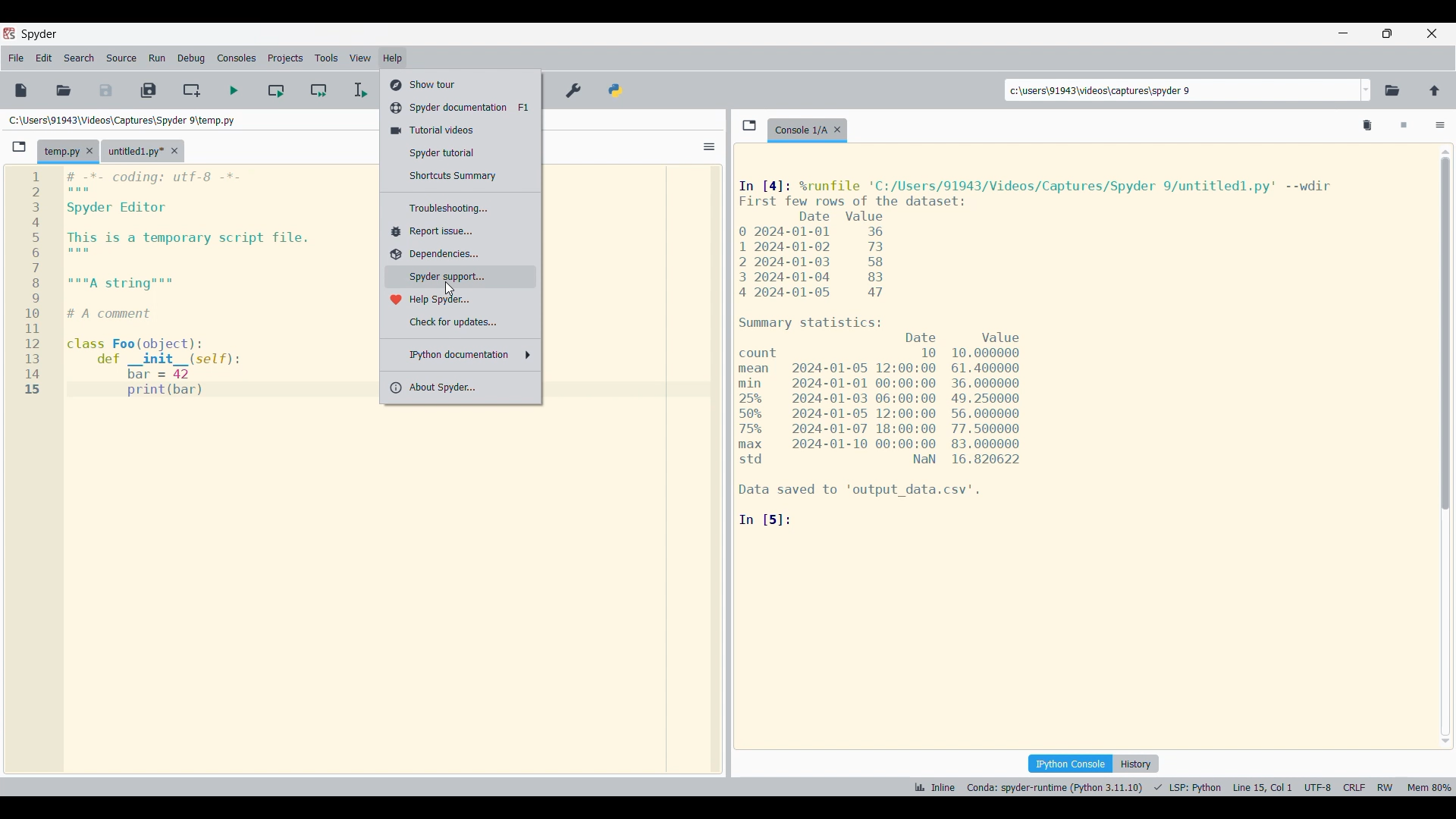 The image size is (1456, 819). Describe the element at coordinates (1441, 126) in the screenshot. I see `Options` at that location.